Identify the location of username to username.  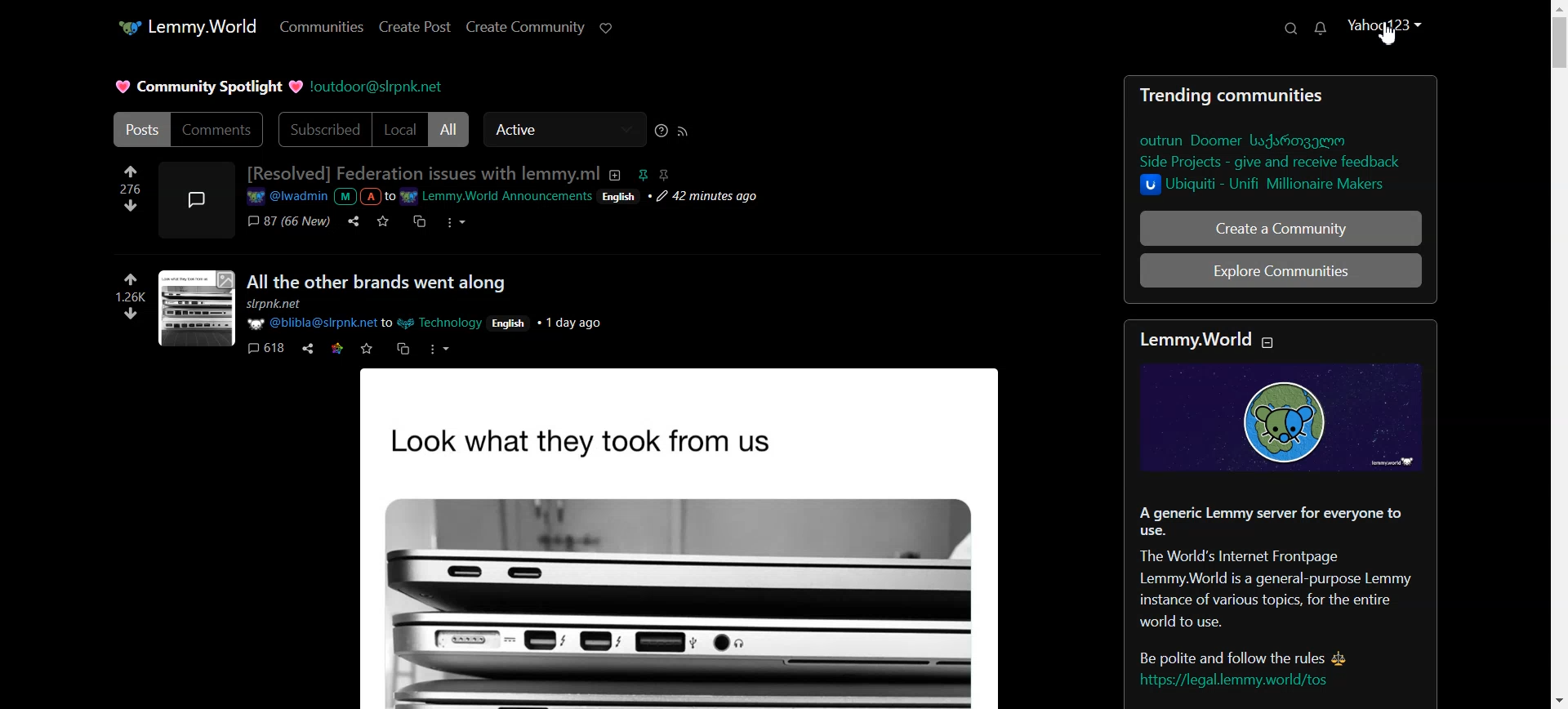
(365, 324).